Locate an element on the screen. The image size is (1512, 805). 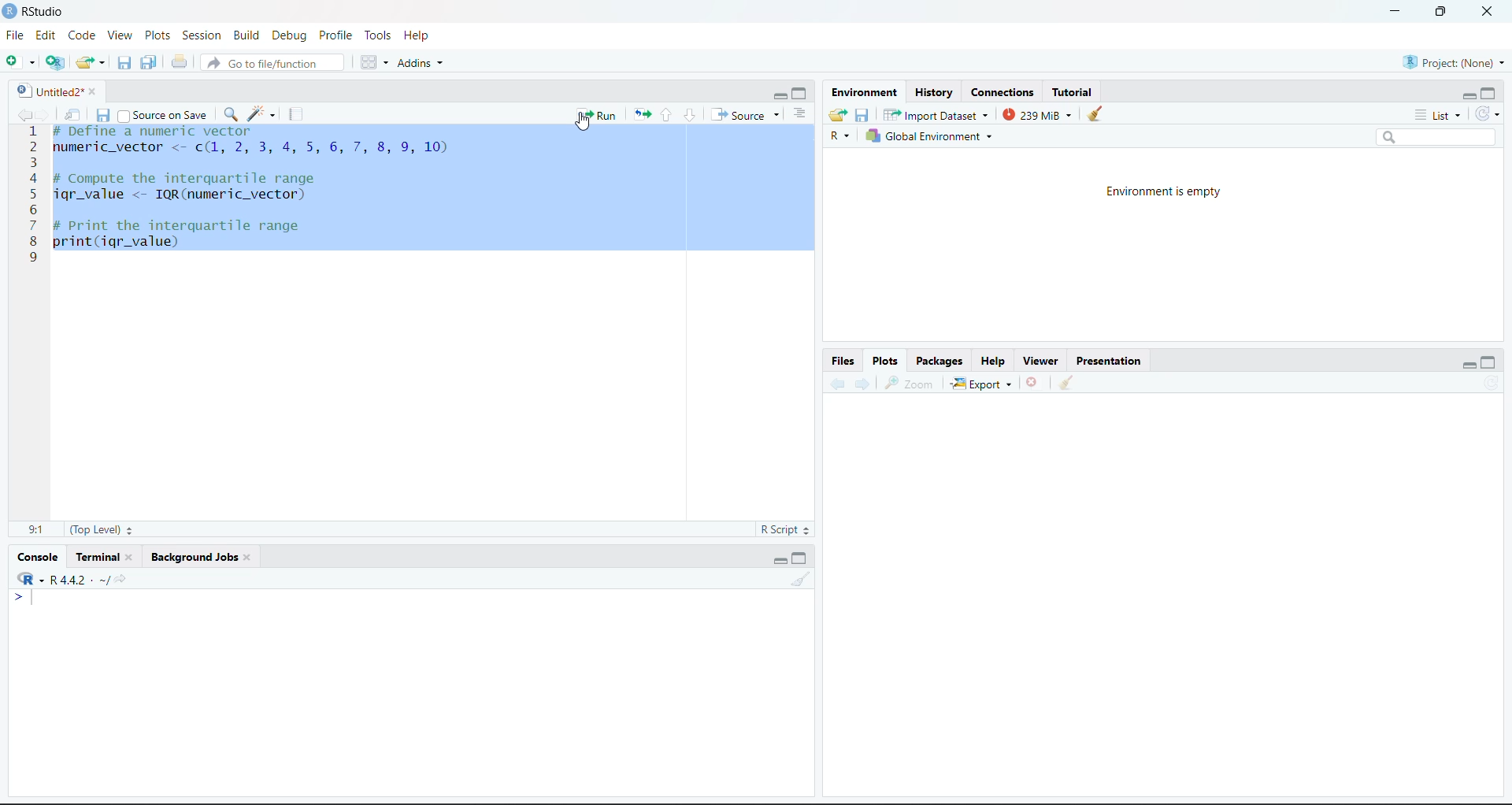
Plots is located at coordinates (887, 360).